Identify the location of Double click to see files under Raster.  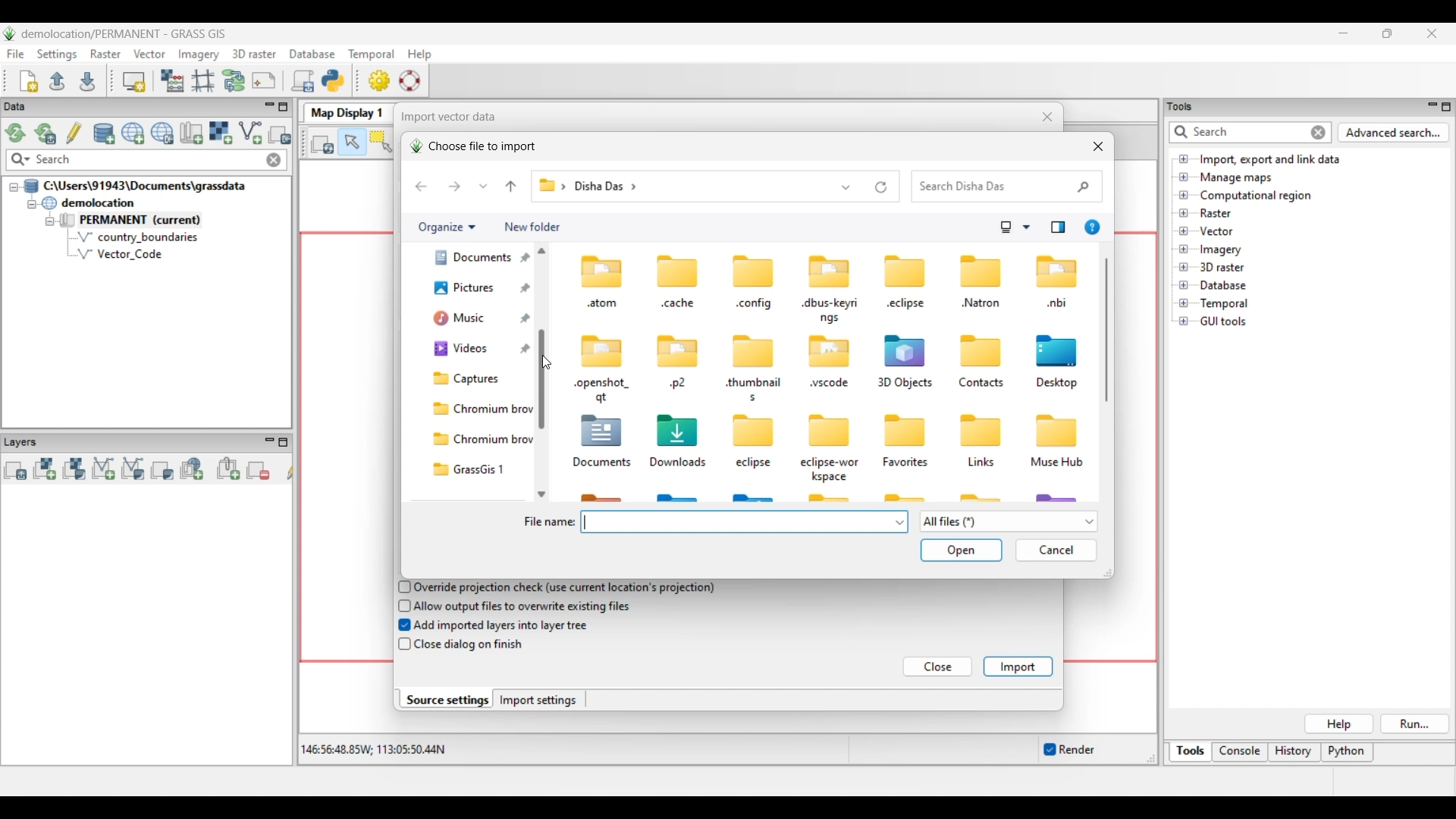
(1216, 213).